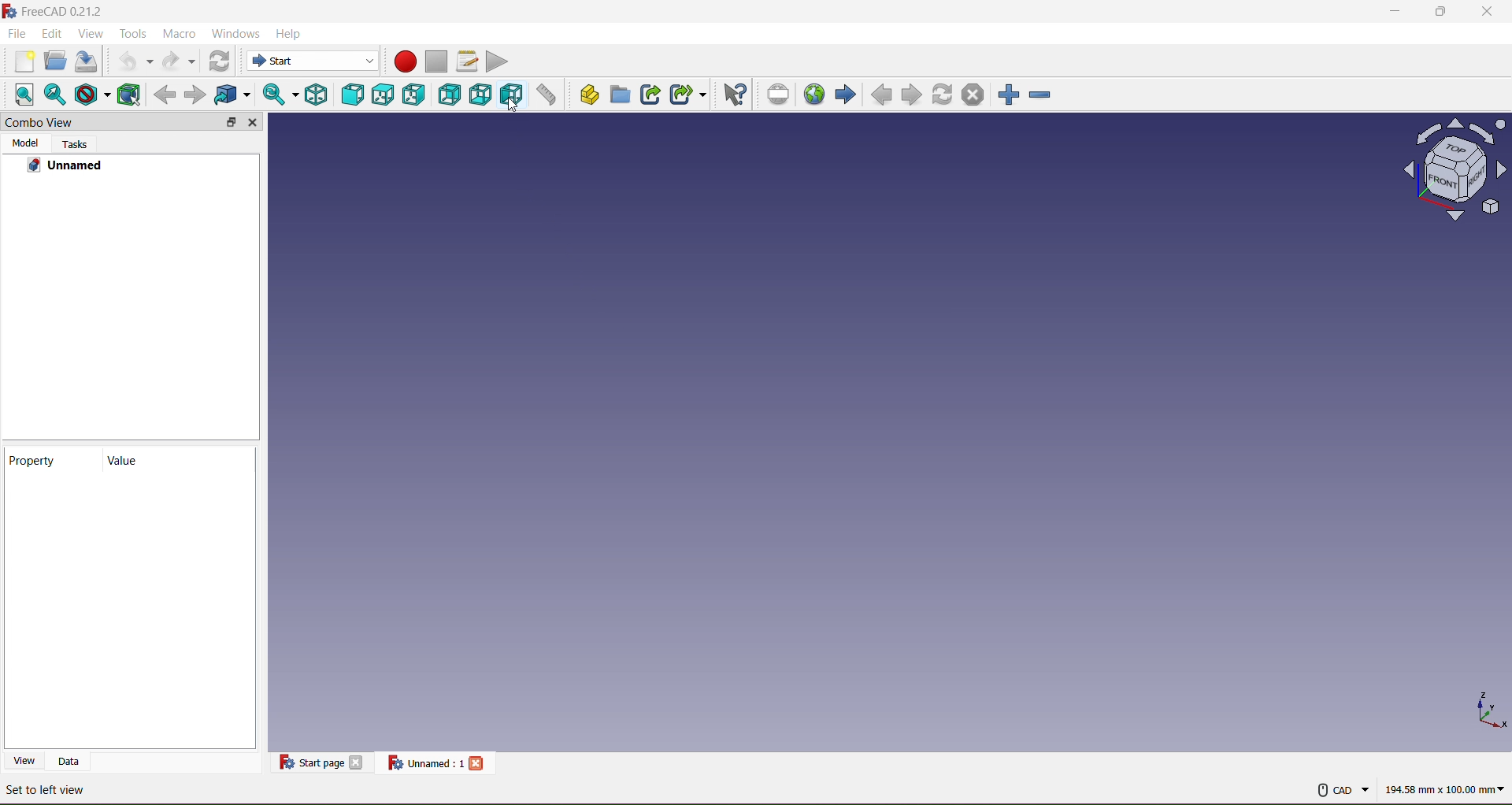 This screenshot has height=805, width=1512. I want to click on Refresh, so click(943, 94).